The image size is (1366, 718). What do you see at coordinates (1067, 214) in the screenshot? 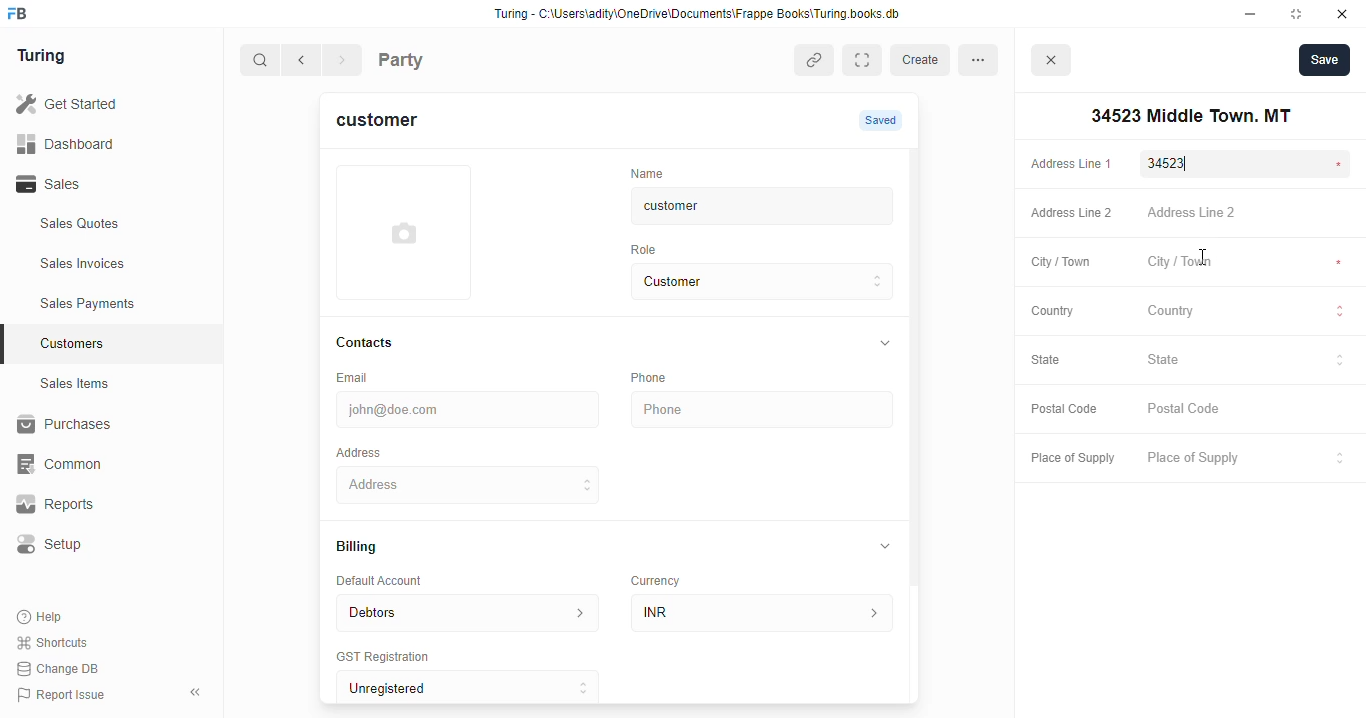
I see `Address Line 2` at bounding box center [1067, 214].